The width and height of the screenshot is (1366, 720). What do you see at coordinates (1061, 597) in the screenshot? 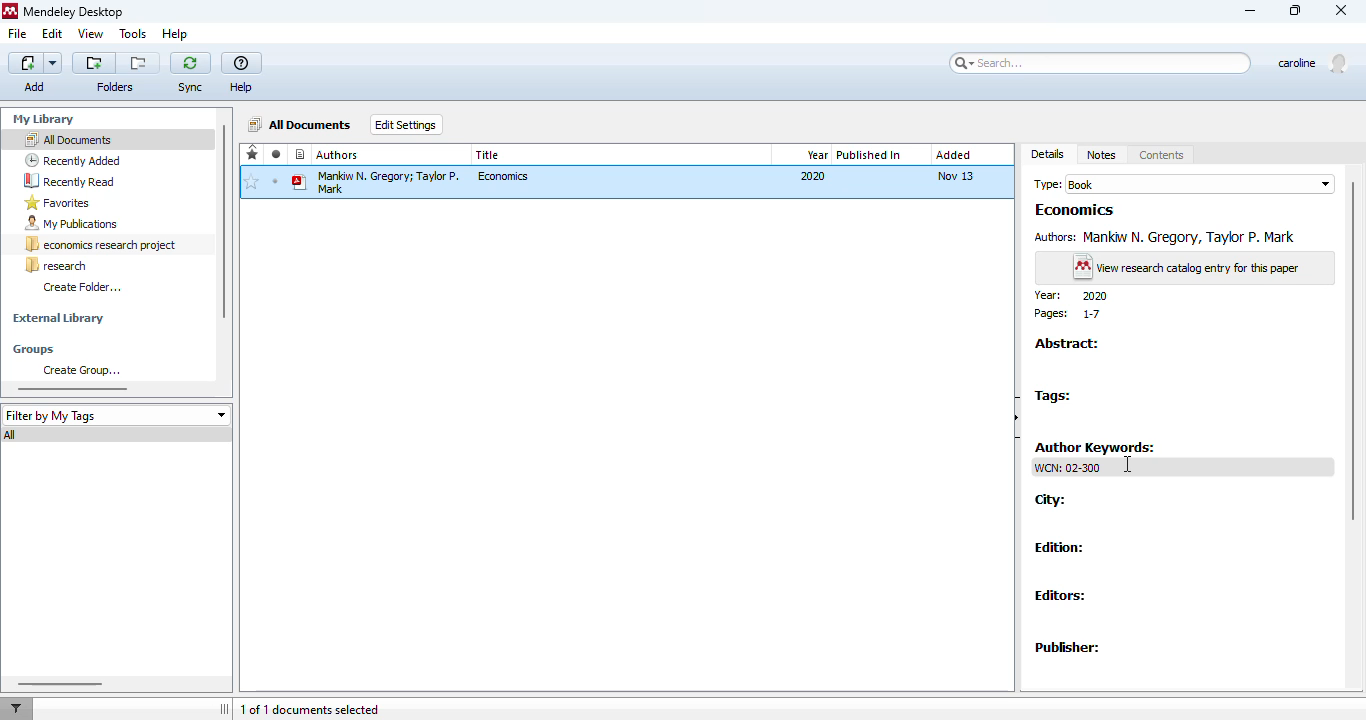
I see `editors:` at bounding box center [1061, 597].